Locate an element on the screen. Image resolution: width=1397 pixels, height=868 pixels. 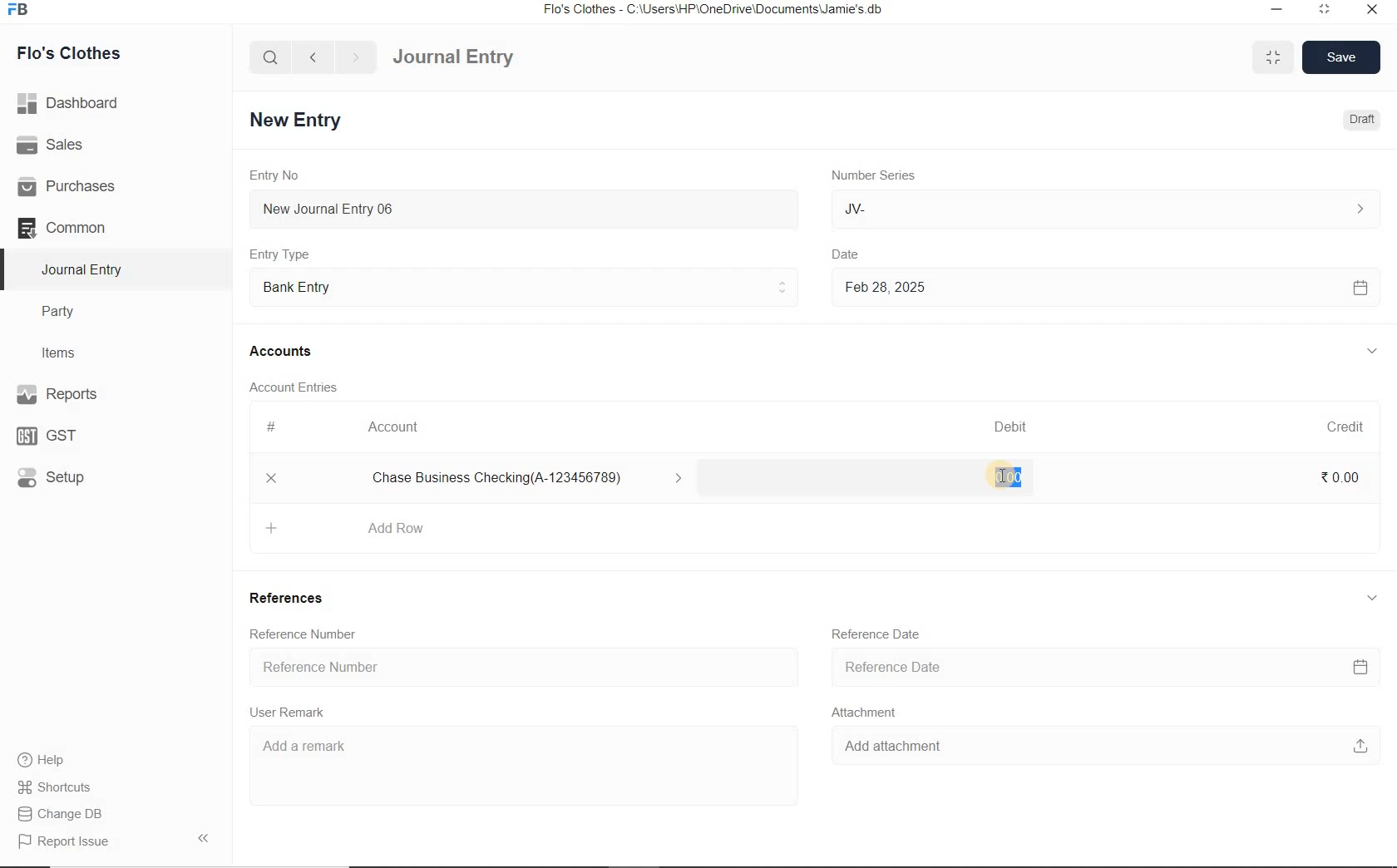
Feb 28, 2025 is located at coordinates (1105, 287).